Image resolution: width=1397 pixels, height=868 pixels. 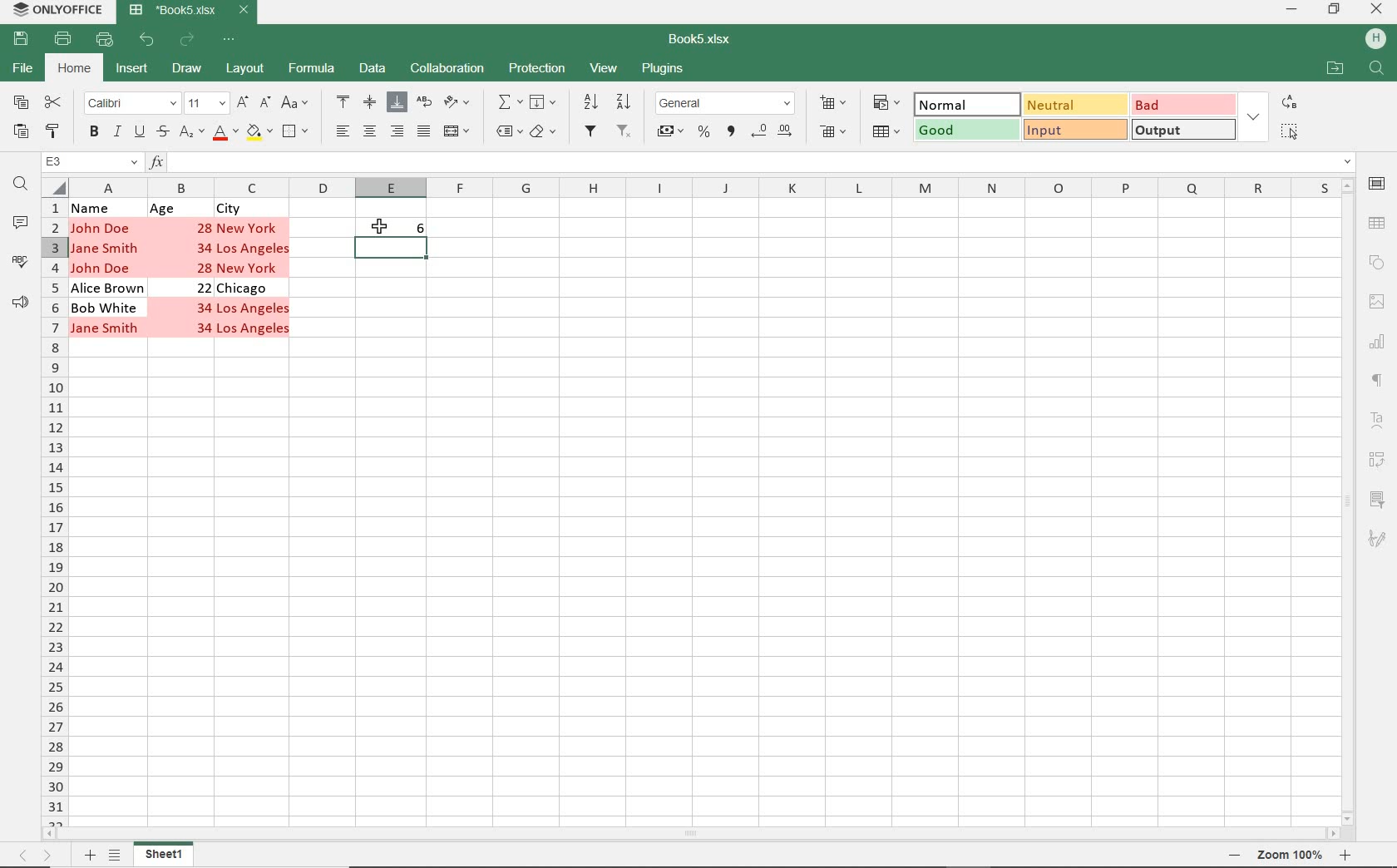 What do you see at coordinates (1184, 130) in the screenshot?
I see `OUTPUT` at bounding box center [1184, 130].